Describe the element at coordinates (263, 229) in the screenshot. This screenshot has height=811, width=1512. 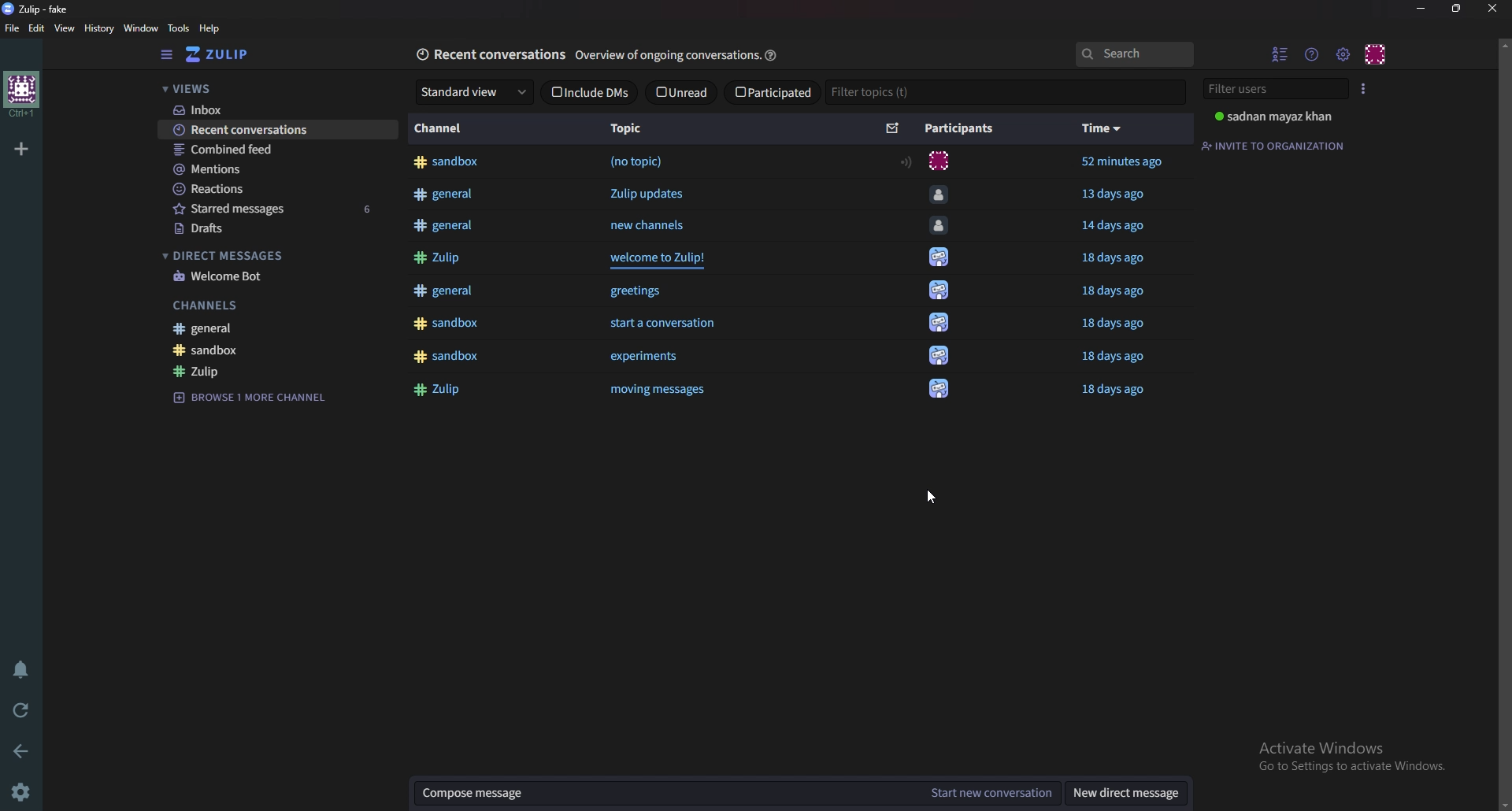
I see `Drafts` at that location.